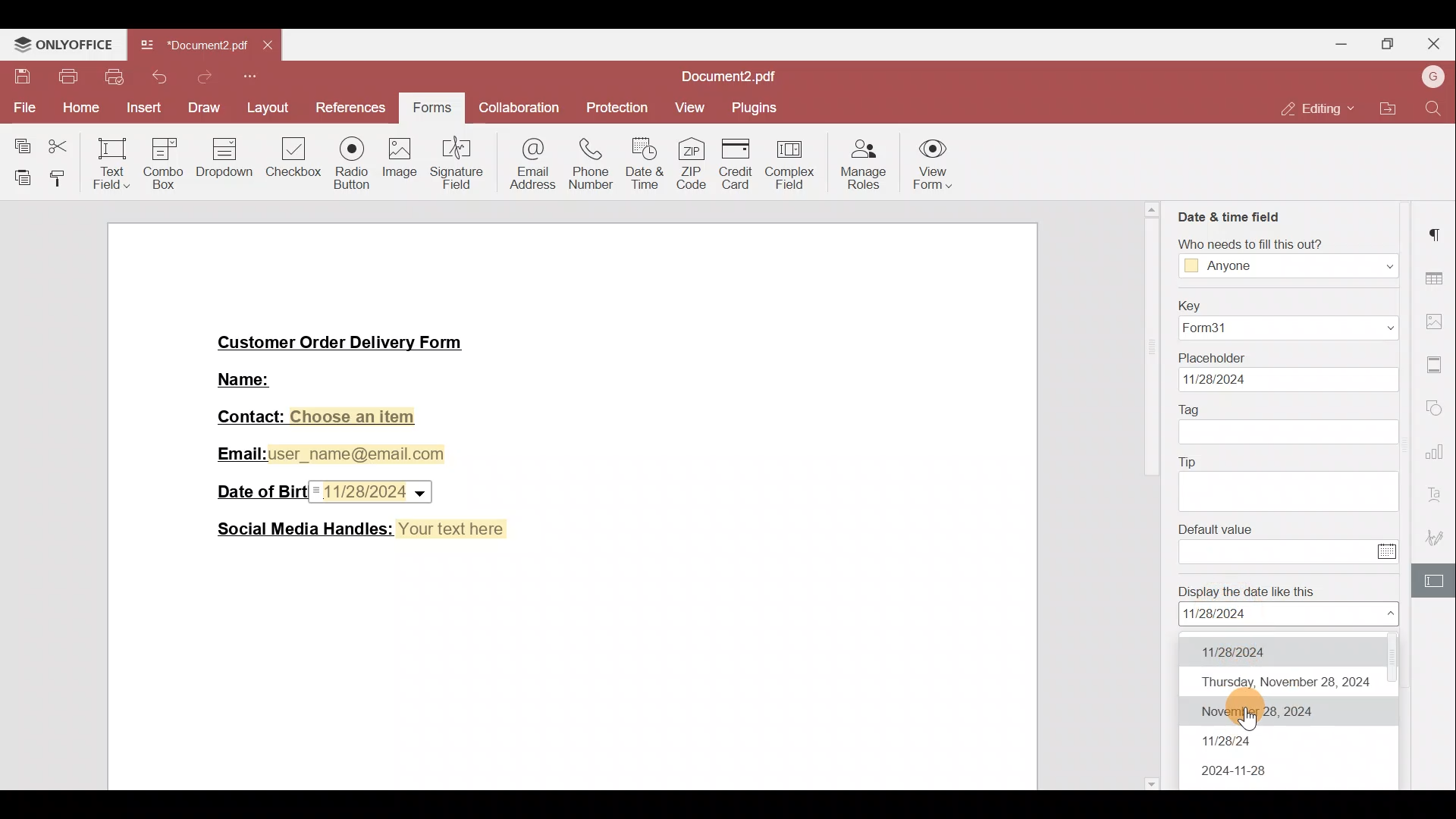 The width and height of the screenshot is (1456, 819). I want to click on Insert, so click(143, 108).